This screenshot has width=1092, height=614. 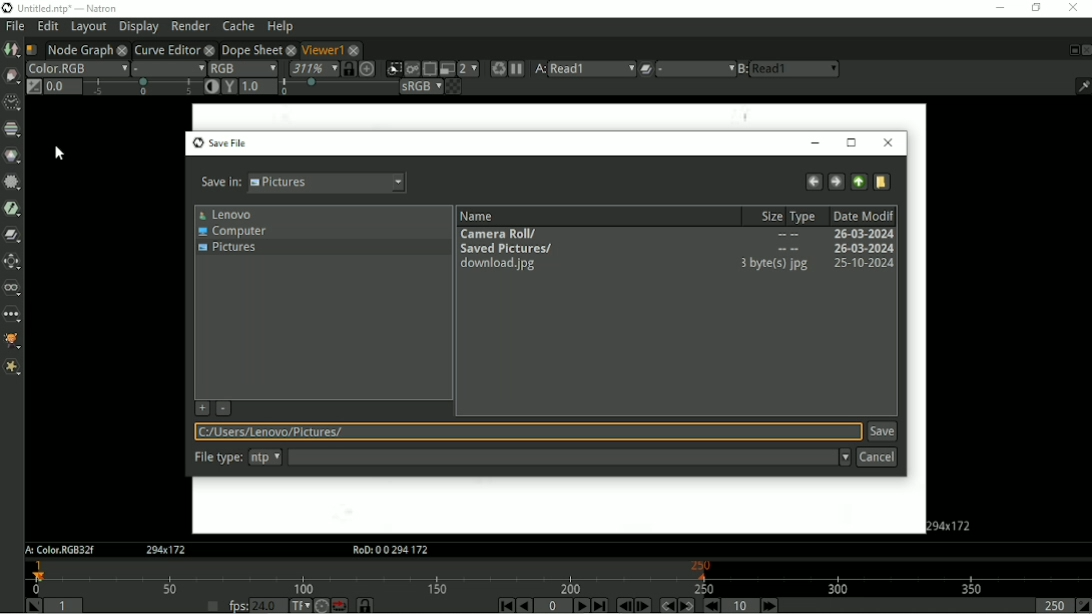 What do you see at coordinates (421, 87) in the screenshot?
I see `Viewer color process` at bounding box center [421, 87].